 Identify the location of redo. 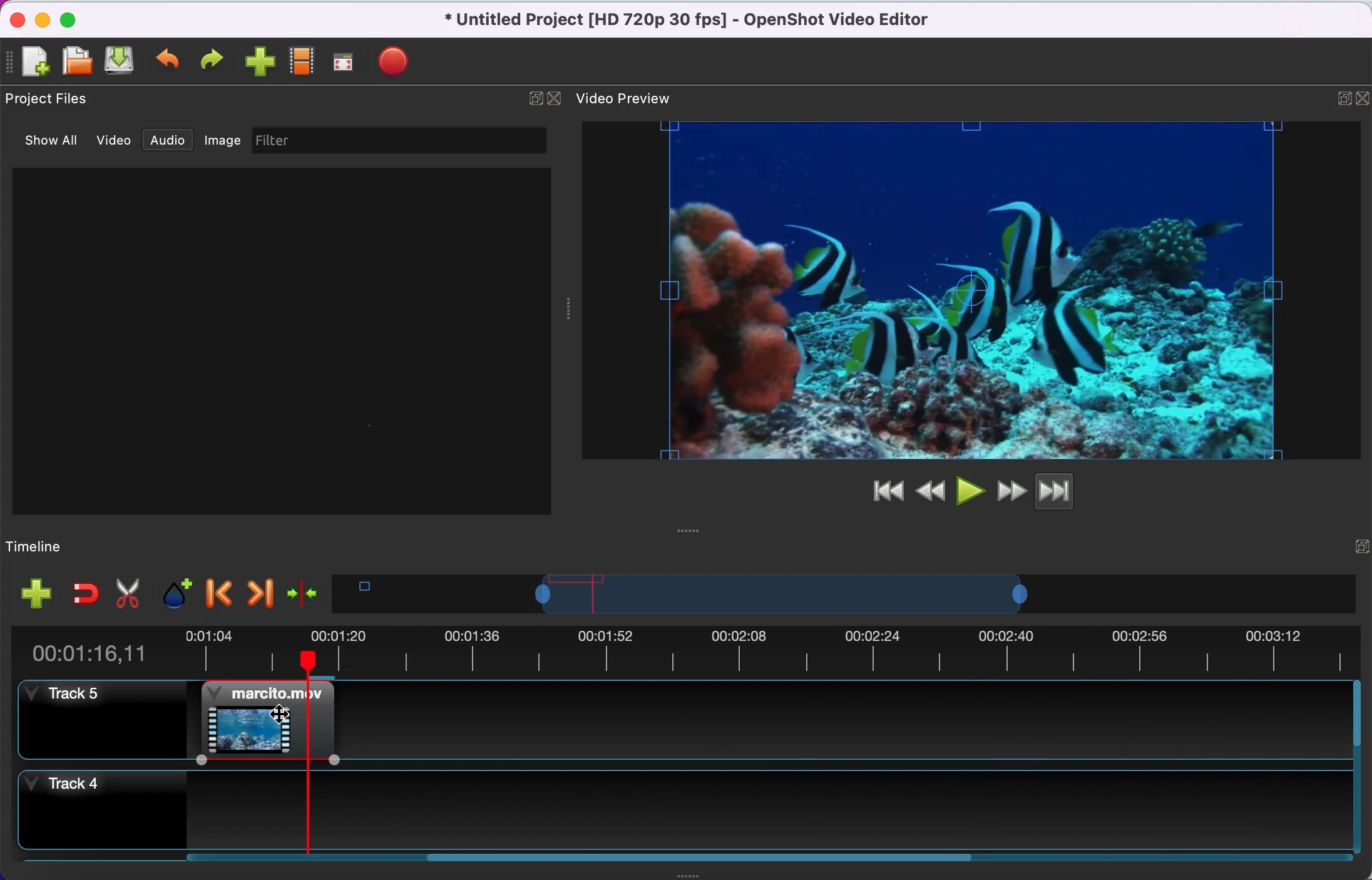
(215, 61).